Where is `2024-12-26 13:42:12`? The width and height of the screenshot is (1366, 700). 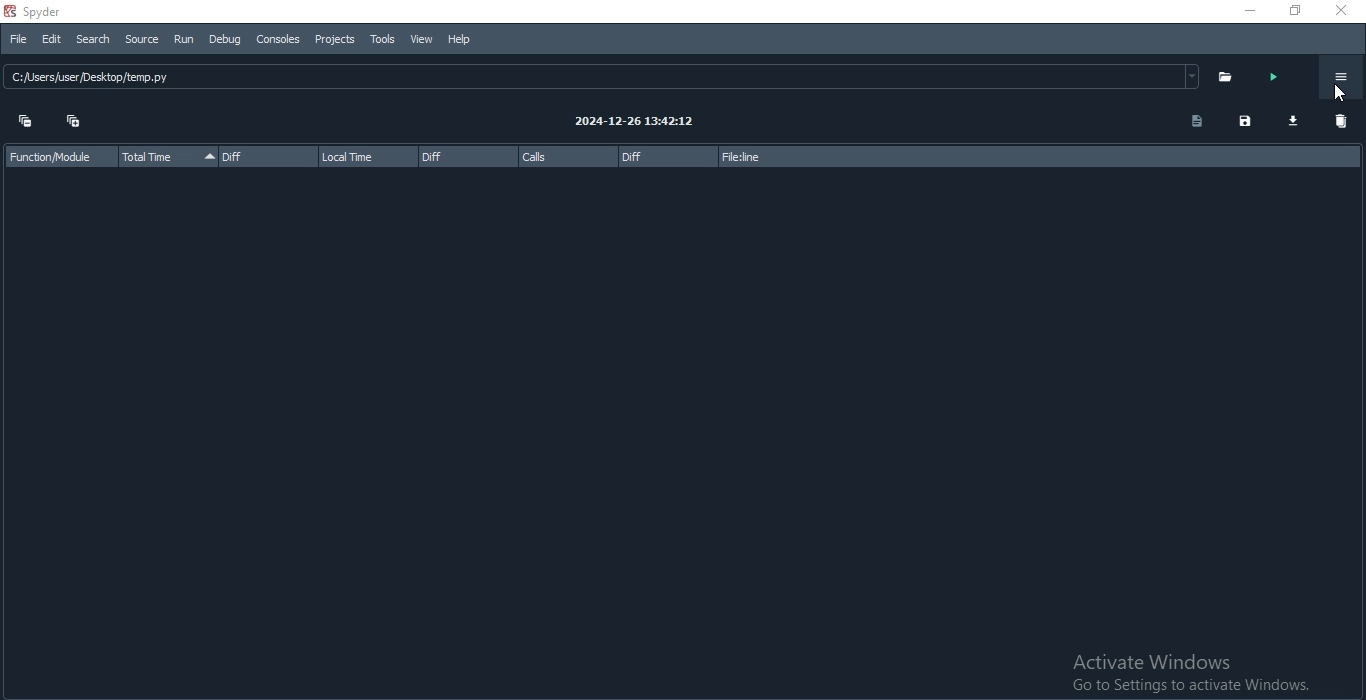 2024-12-26 13:42:12 is located at coordinates (636, 121).